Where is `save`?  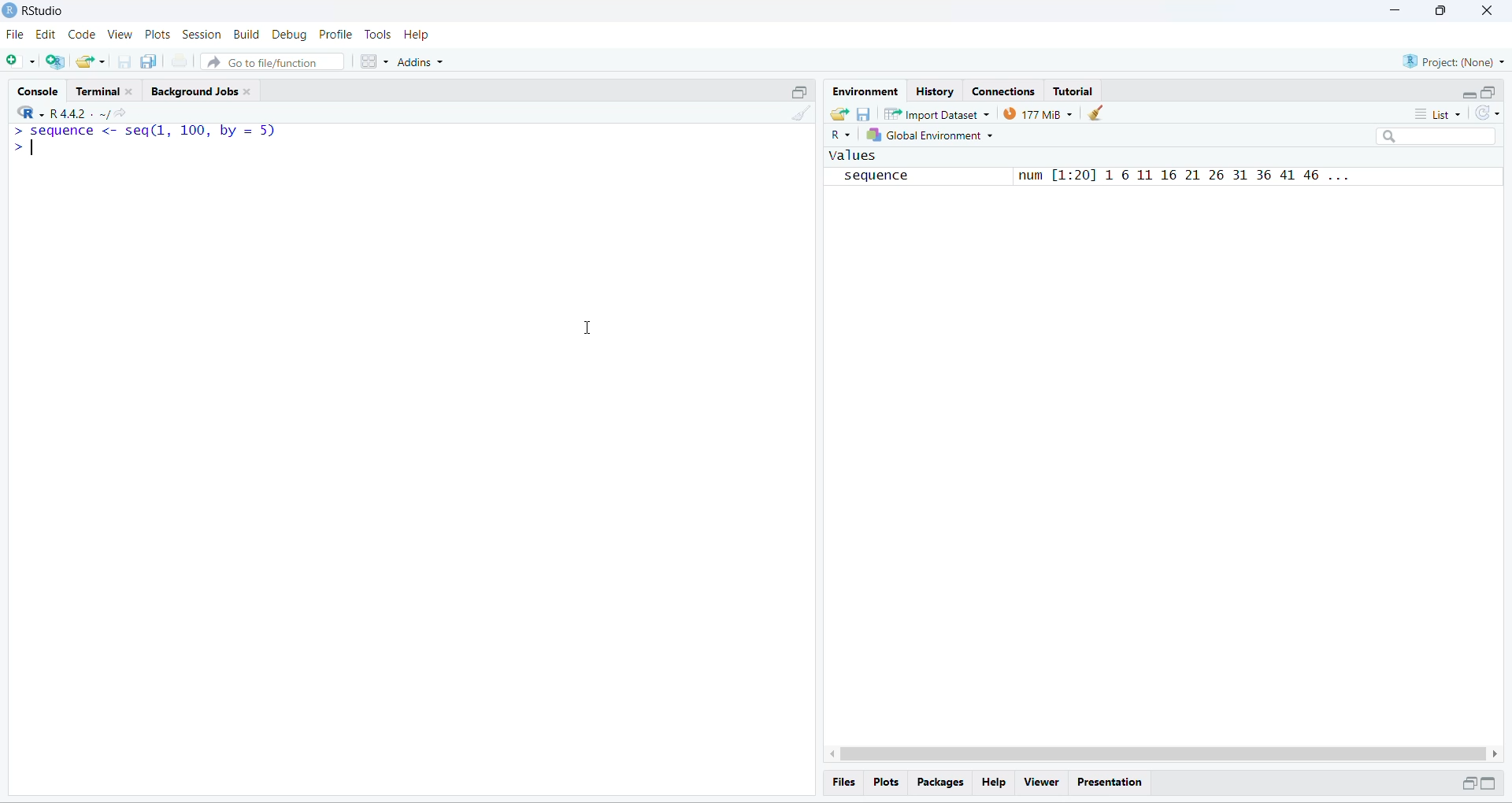
save is located at coordinates (864, 115).